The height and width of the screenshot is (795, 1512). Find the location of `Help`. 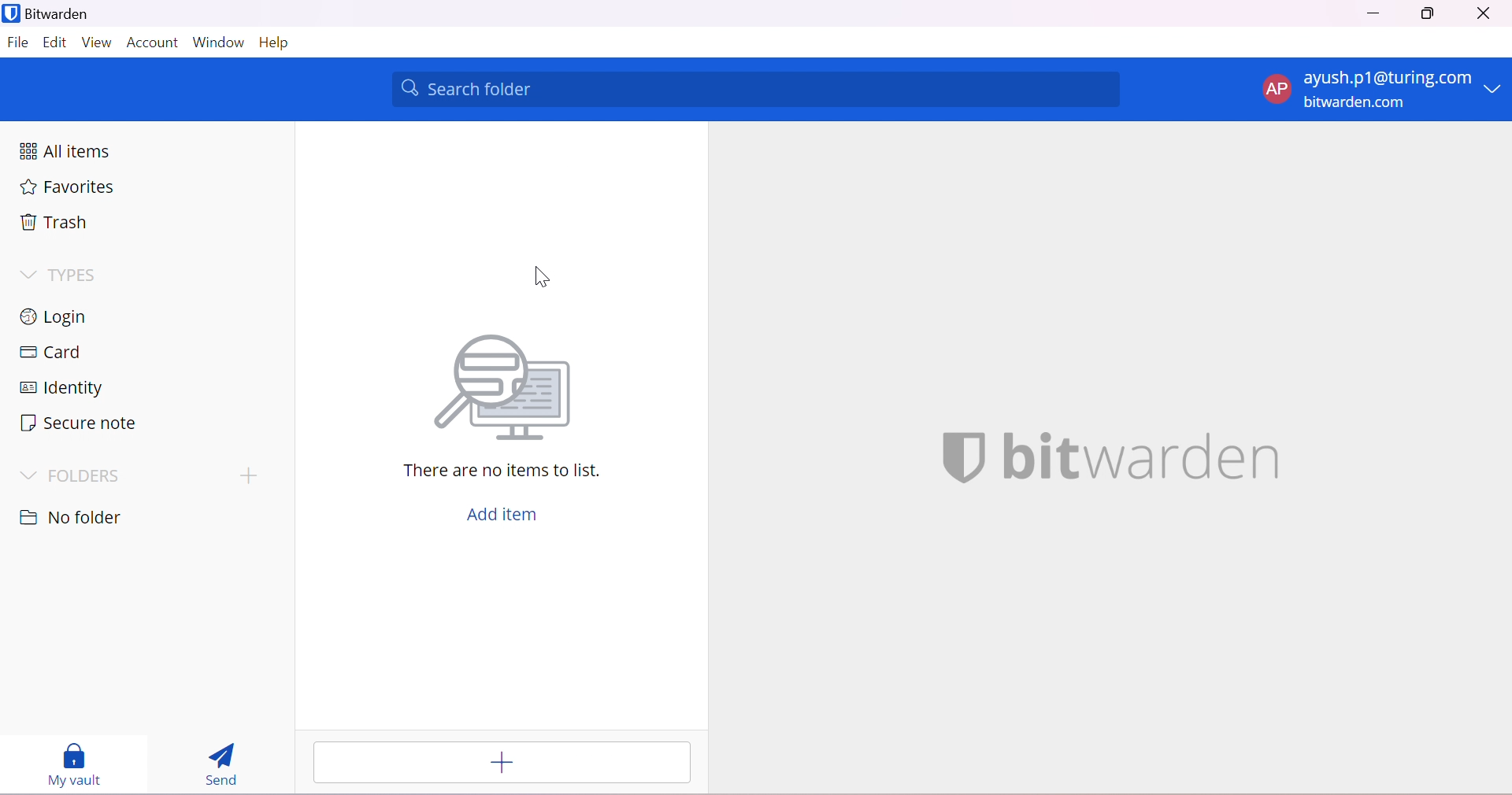

Help is located at coordinates (280, 44).